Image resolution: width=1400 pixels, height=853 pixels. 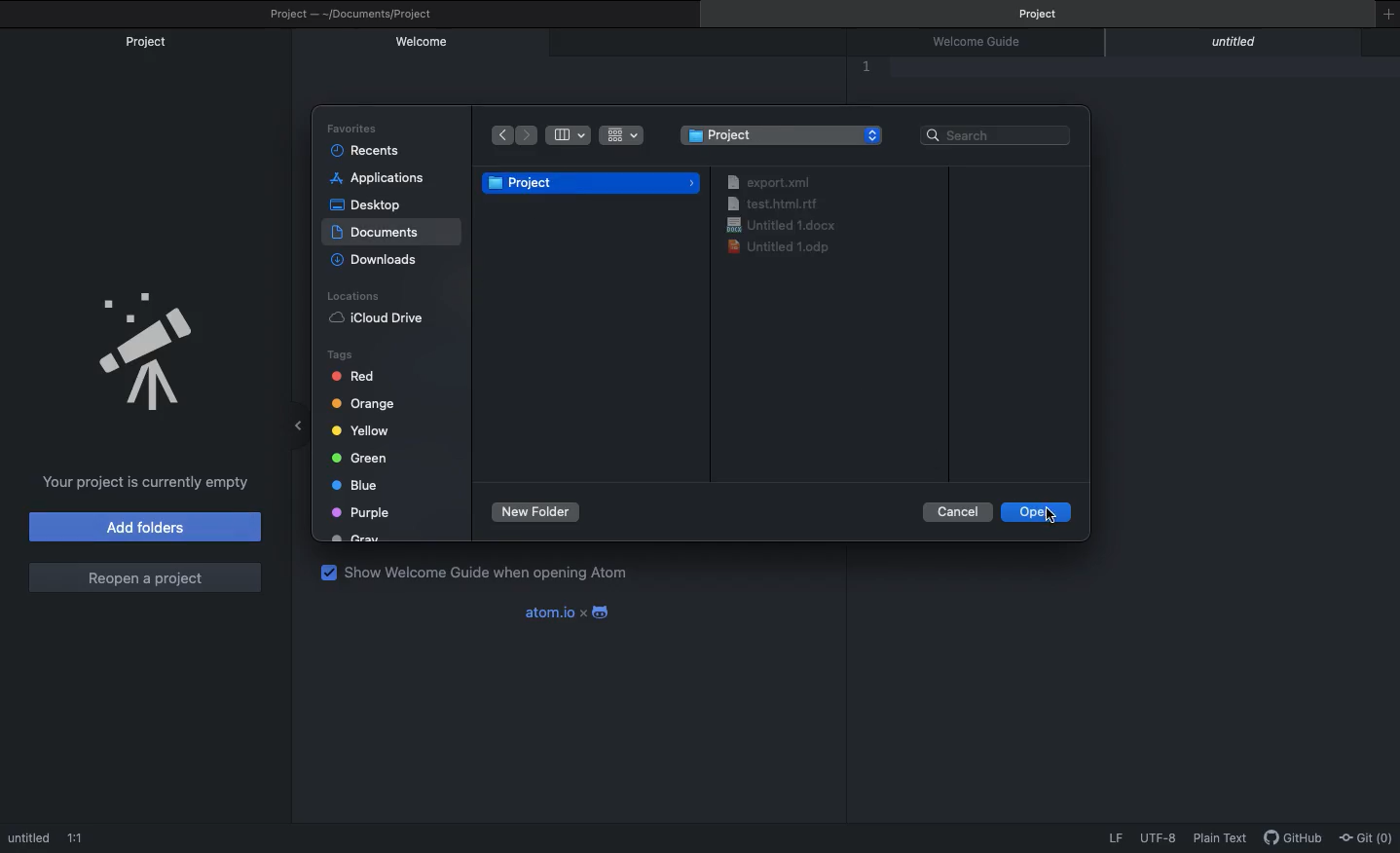 What do you see at coordinates (1000, 133) in the screenshot?
I see `Search` at bounding box center [1000, 133].